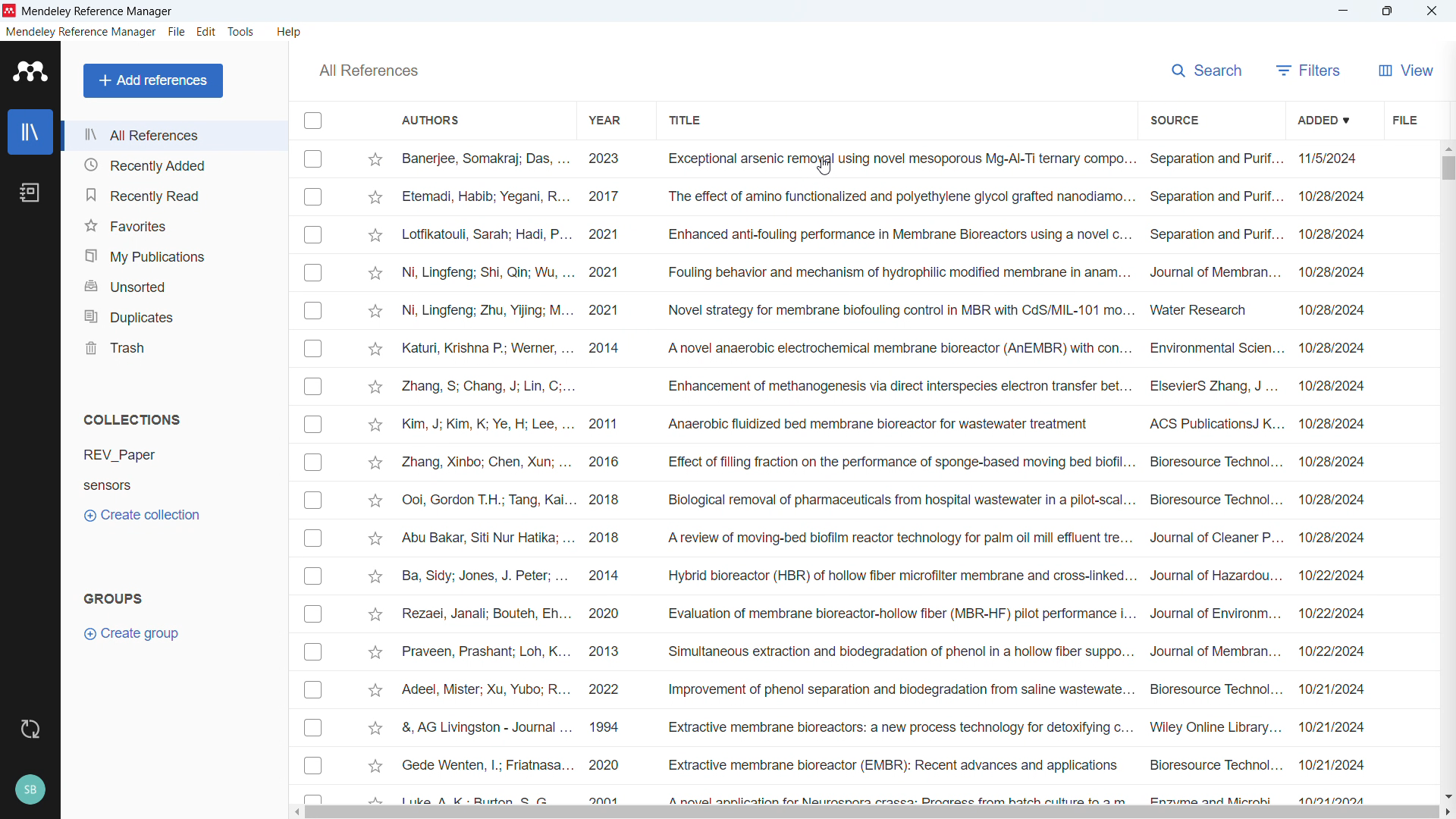 The height and width of the screenshot is (819, 1456). I want to click on click to starmark individual entries, so click(375, 423).